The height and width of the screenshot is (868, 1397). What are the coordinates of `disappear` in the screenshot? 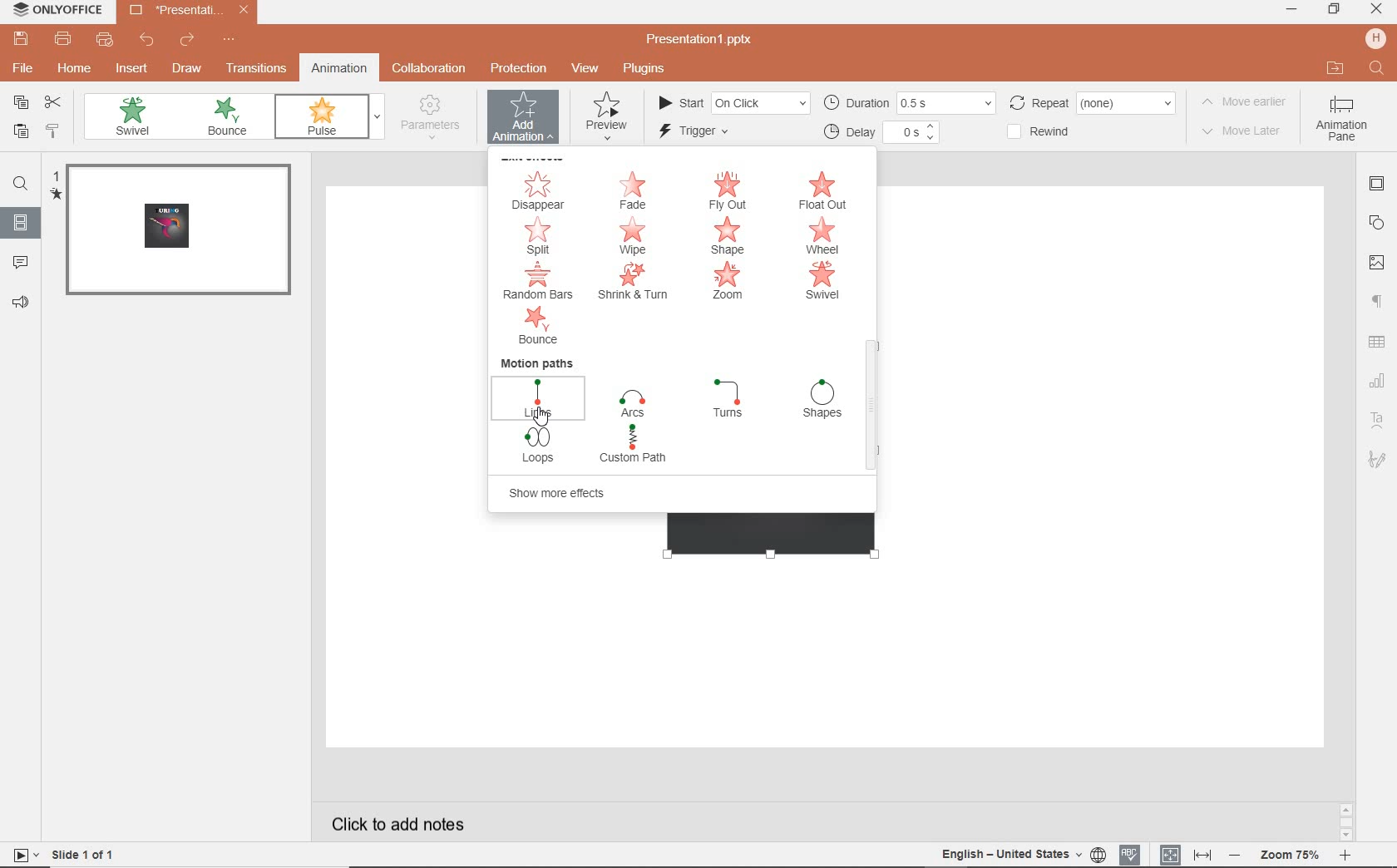 It's located at (537, 190).